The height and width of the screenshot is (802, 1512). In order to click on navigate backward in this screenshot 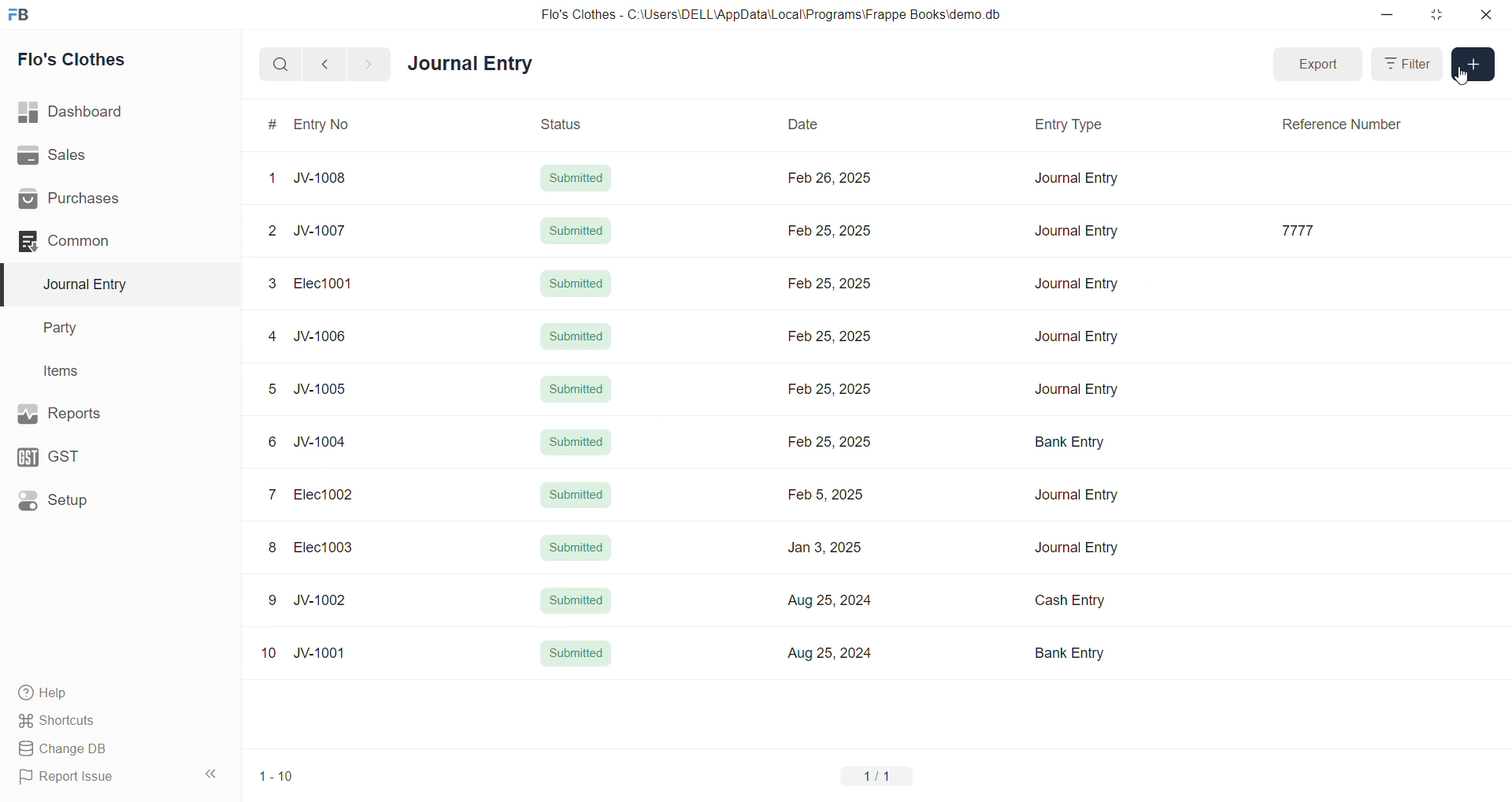, I will do `click(327, 65)`.